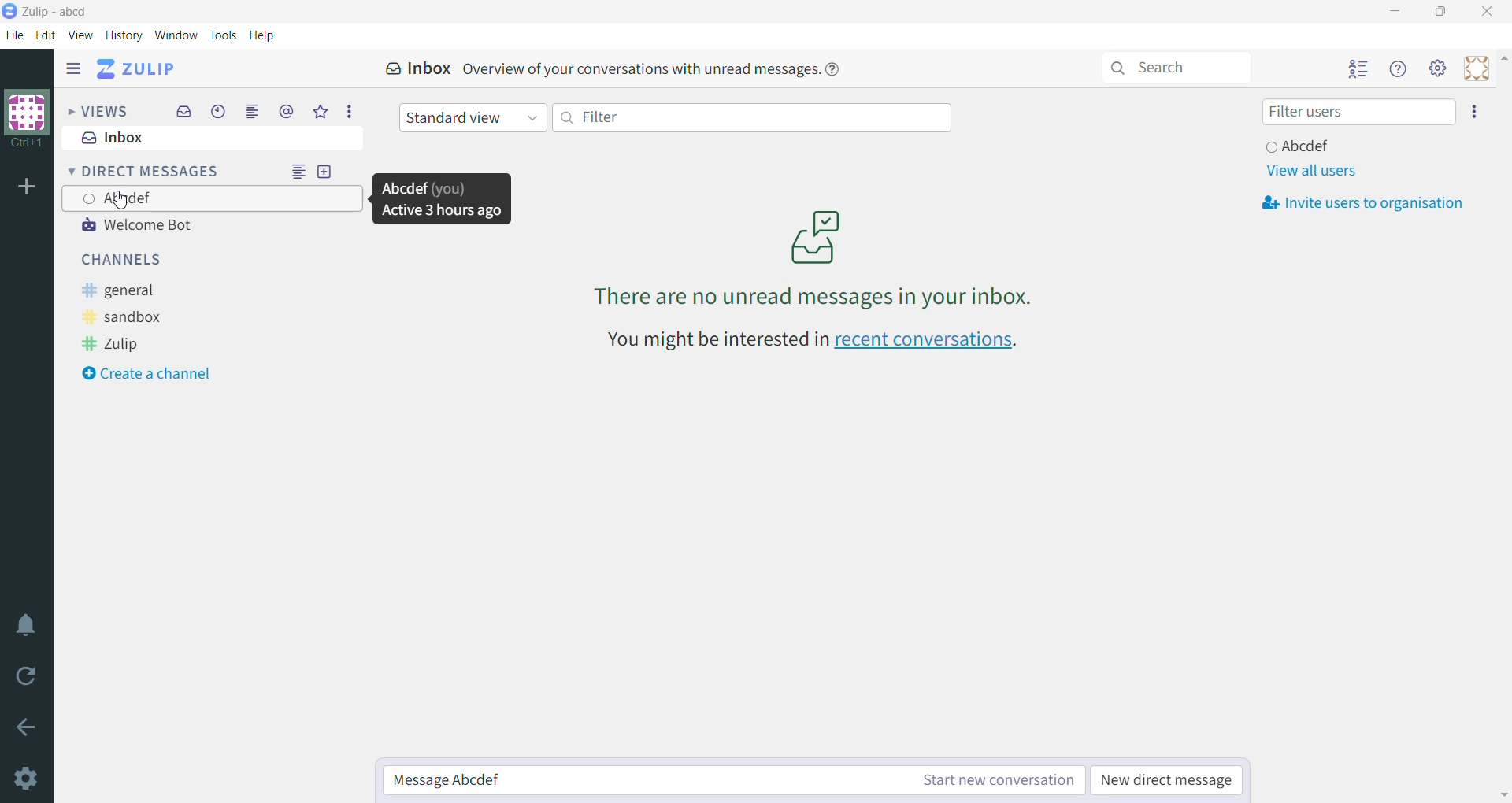 The width and height of the screenshot is (1512, 803). I want to click on Start new conversation, so click(991, 781).